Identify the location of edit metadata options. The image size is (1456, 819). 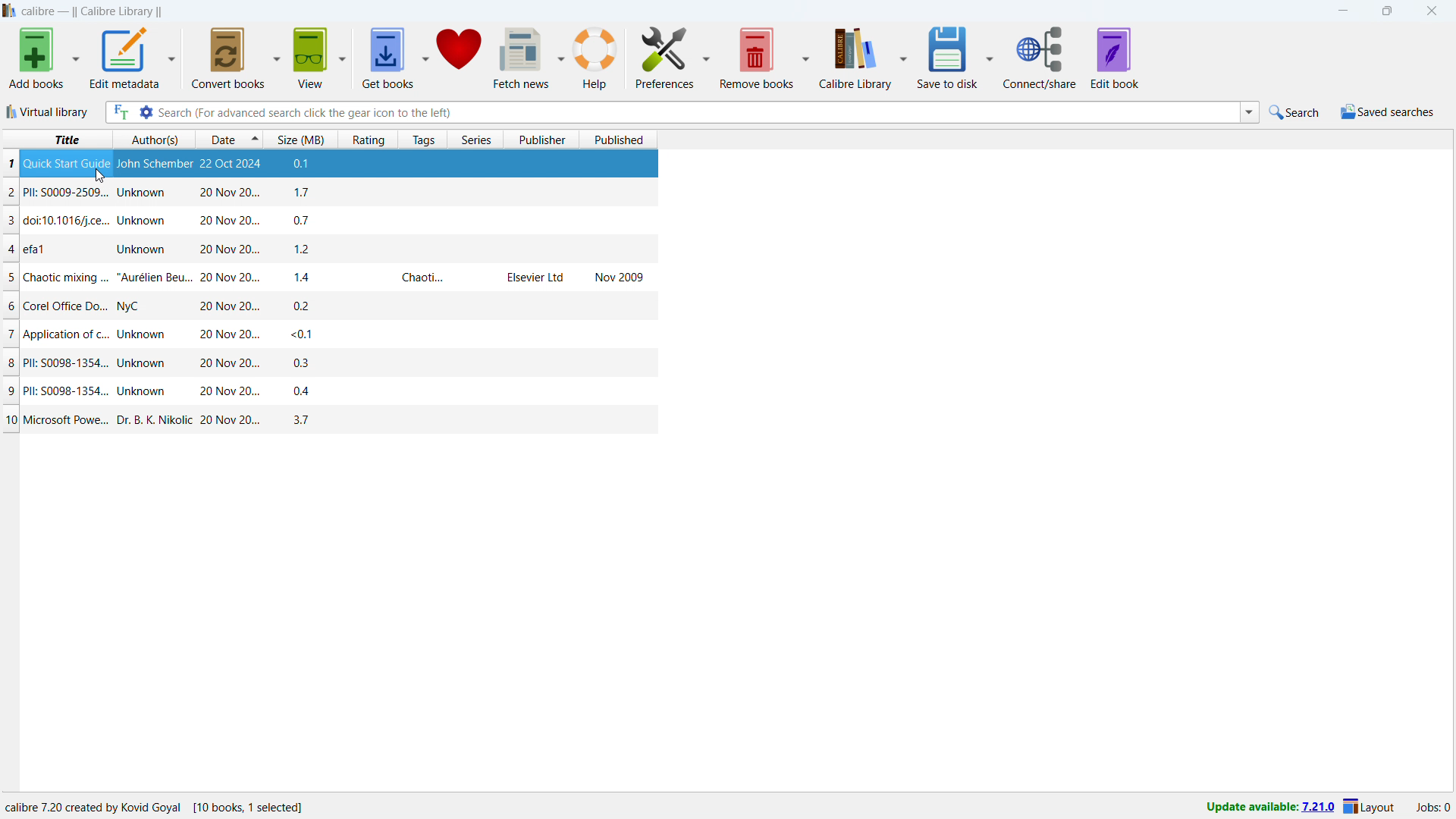
(172, 57).